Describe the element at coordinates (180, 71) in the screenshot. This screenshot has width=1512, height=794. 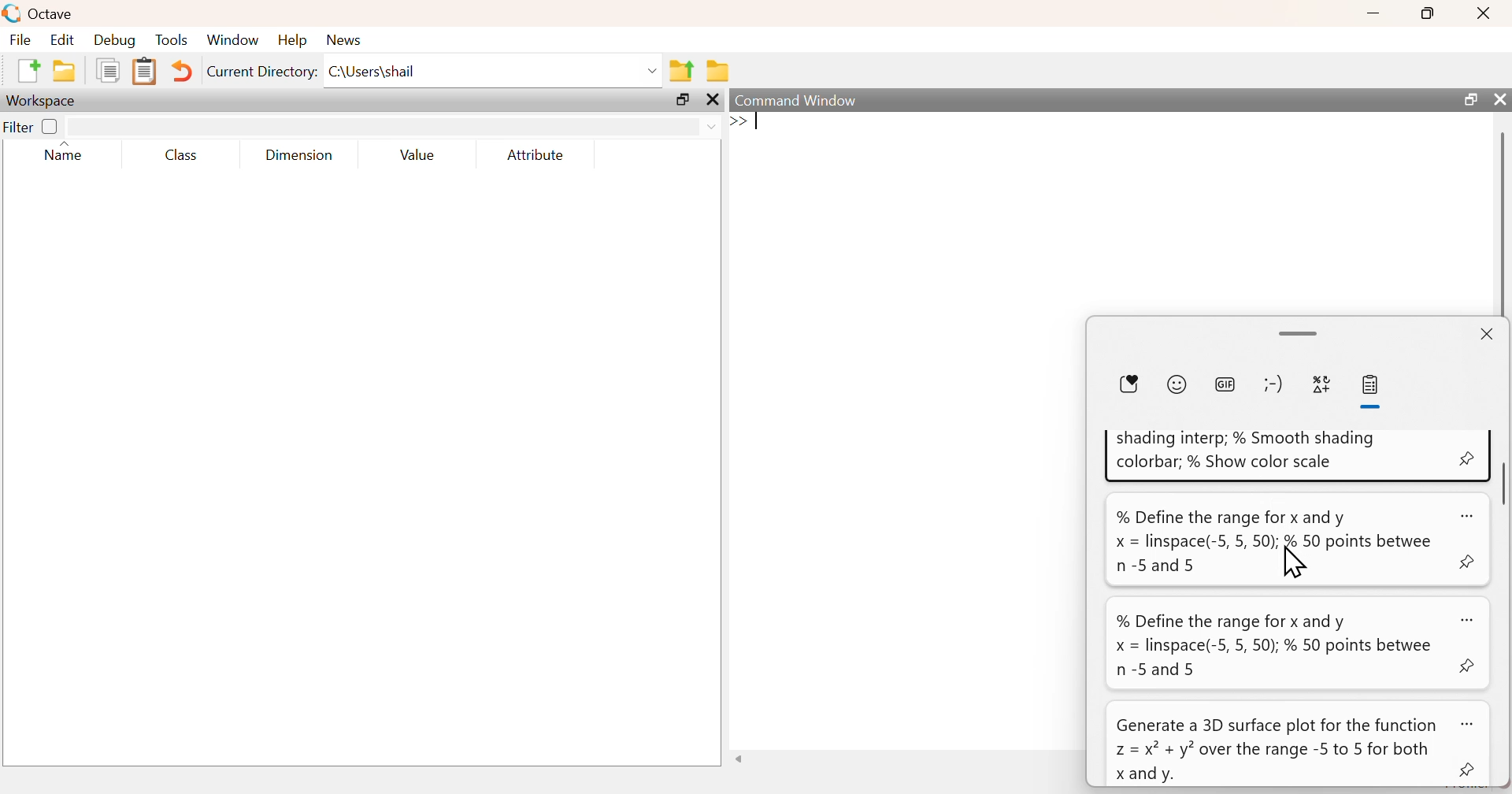
I see `Undo` at that location.